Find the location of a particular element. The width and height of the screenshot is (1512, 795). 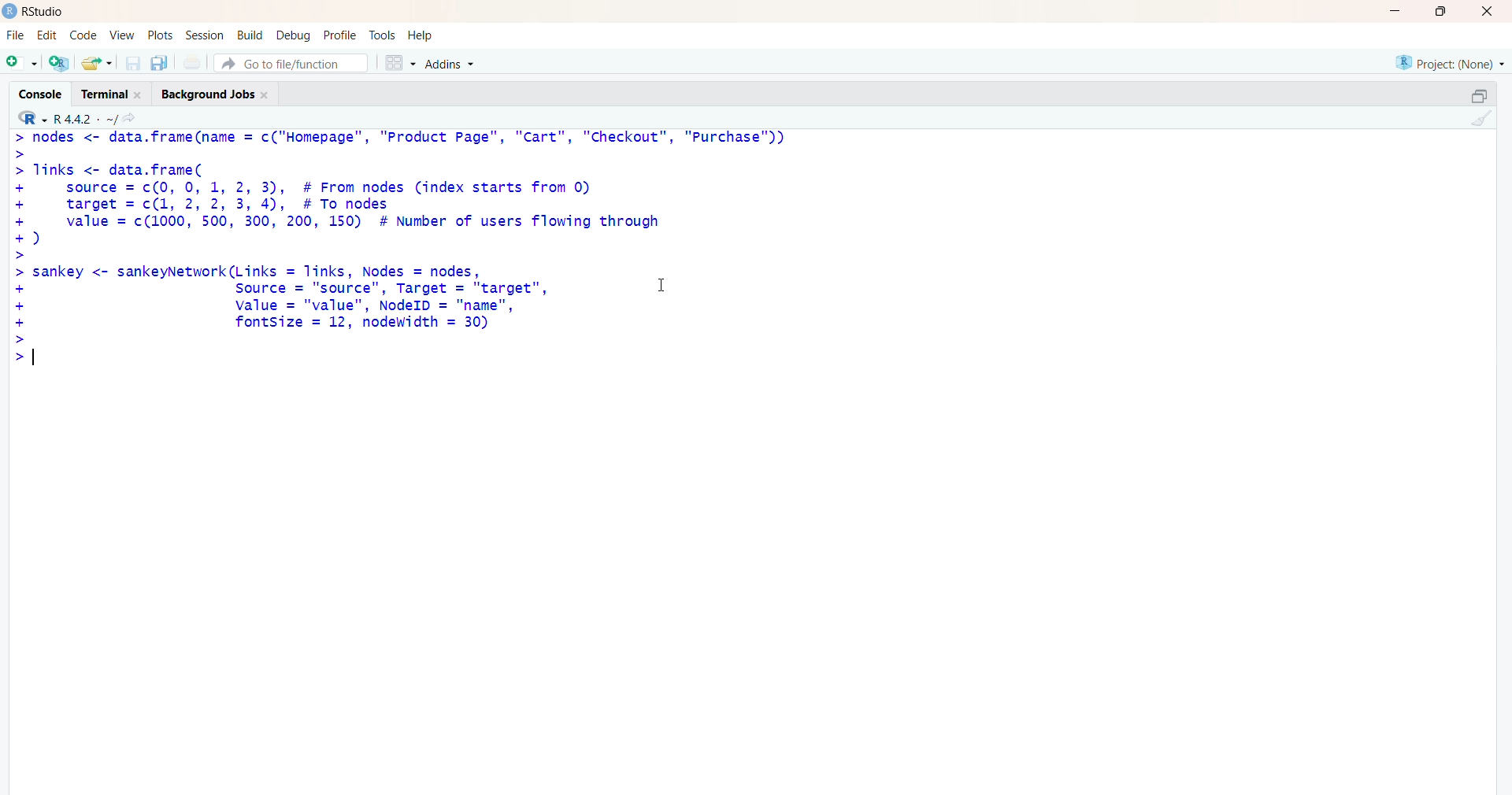

background jobs is located at coordinates (219, 96).